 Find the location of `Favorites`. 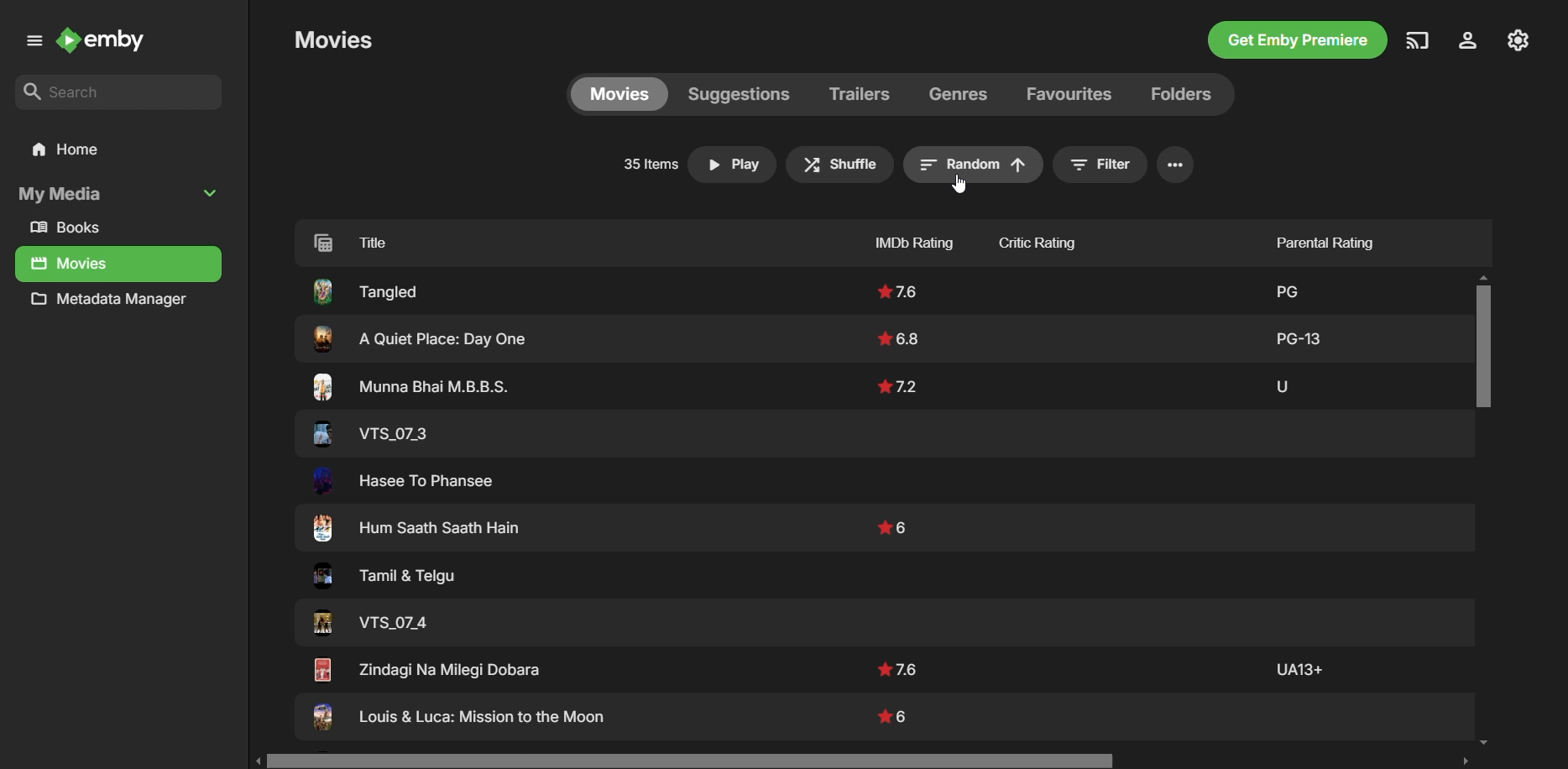

Favorites is located at coordinates (1067, 92).